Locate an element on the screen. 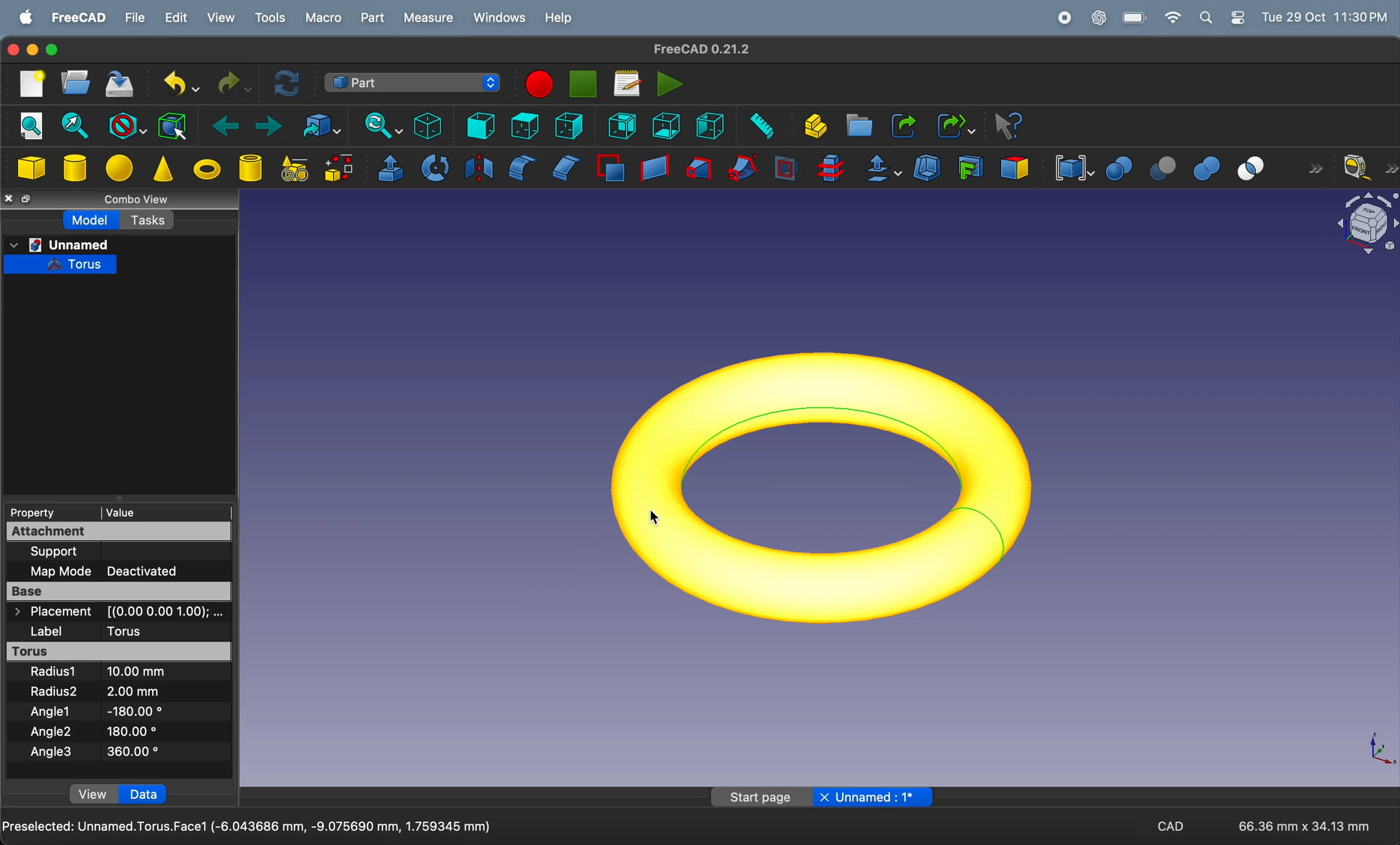 Image resolution: width=1400 pixels, height=845 pixels. extrude is located at coordinates (390, 169).